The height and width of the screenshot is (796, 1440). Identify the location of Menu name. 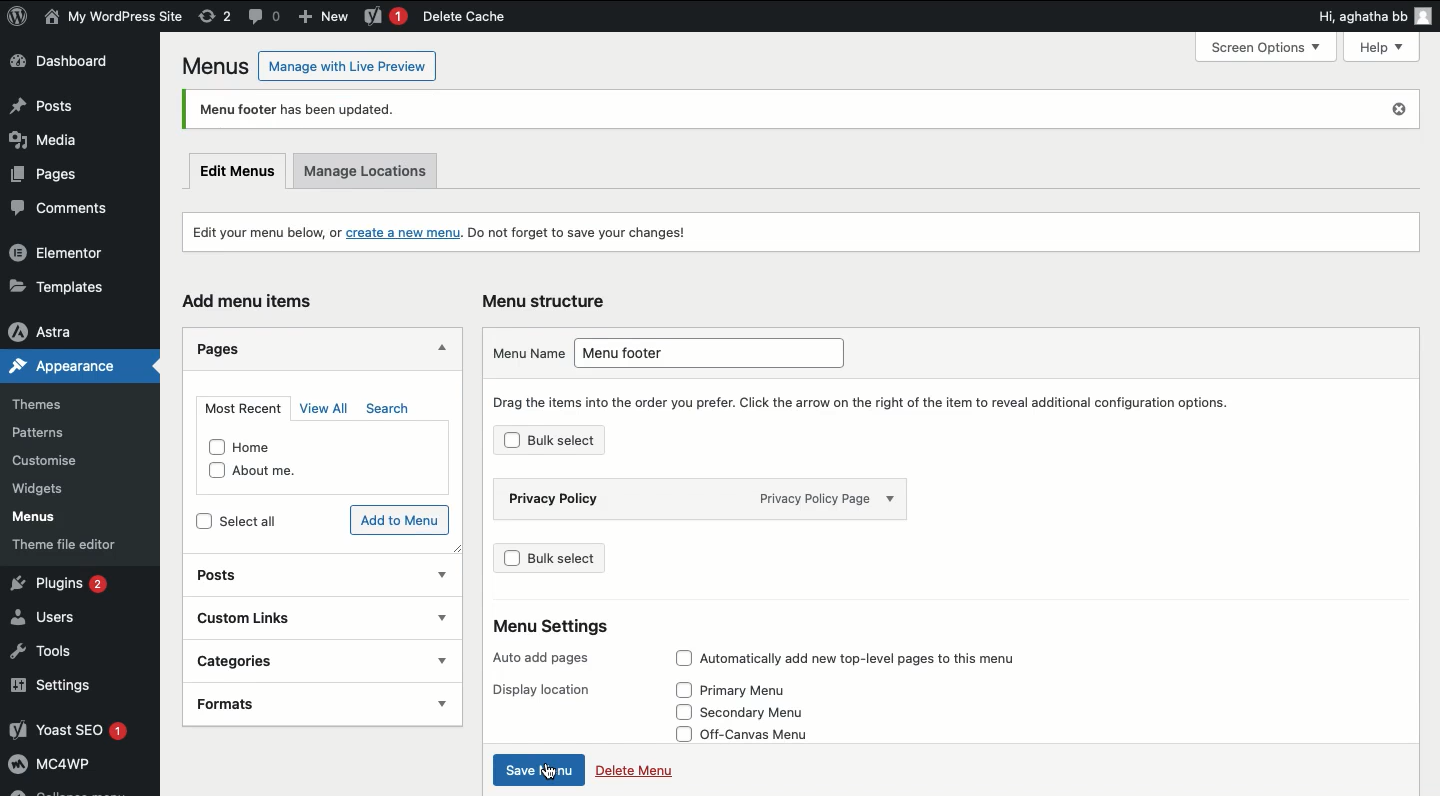
(524, 350).